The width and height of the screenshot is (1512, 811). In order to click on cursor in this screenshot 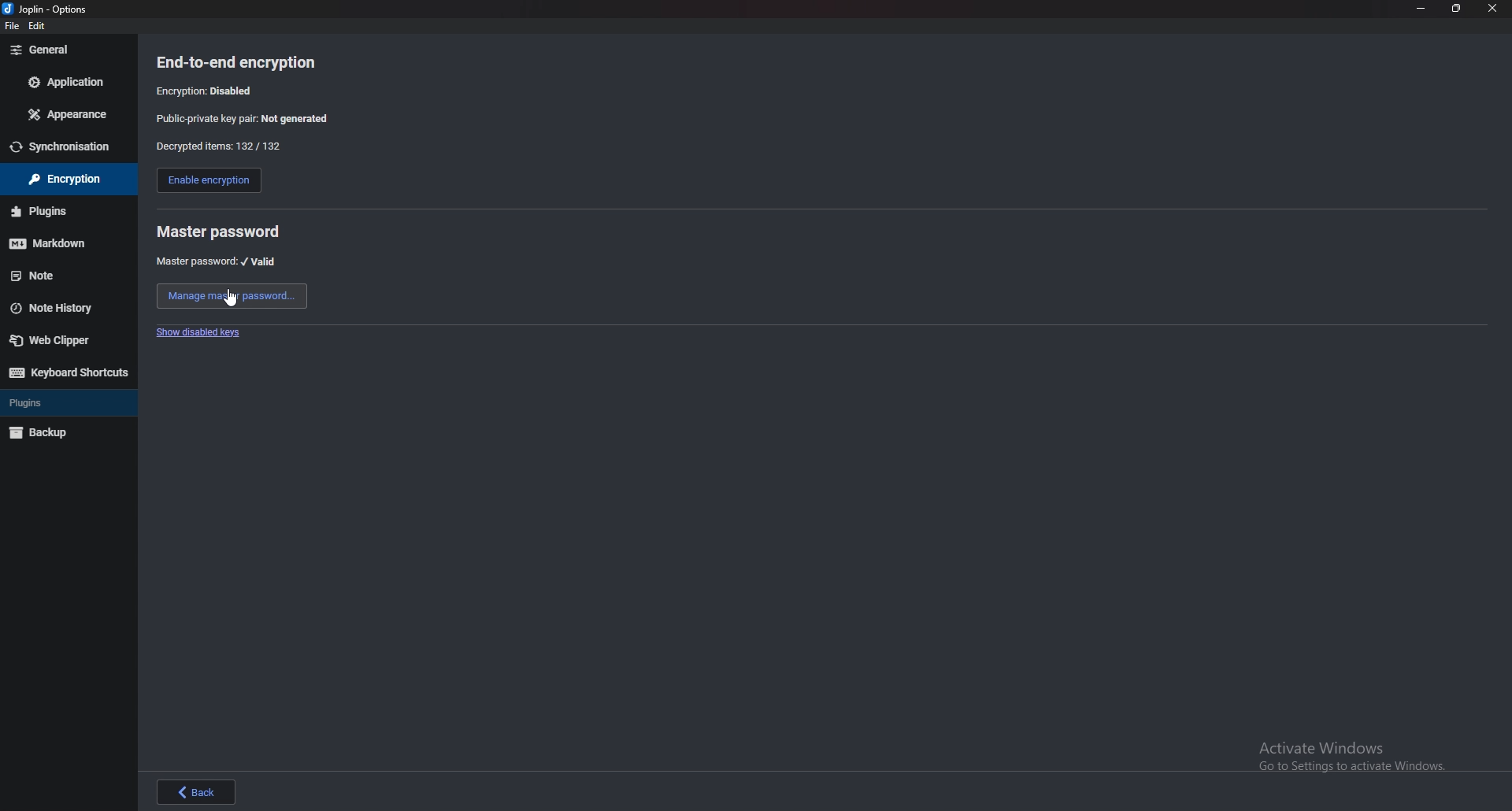, I will do `click(230, 299)`.